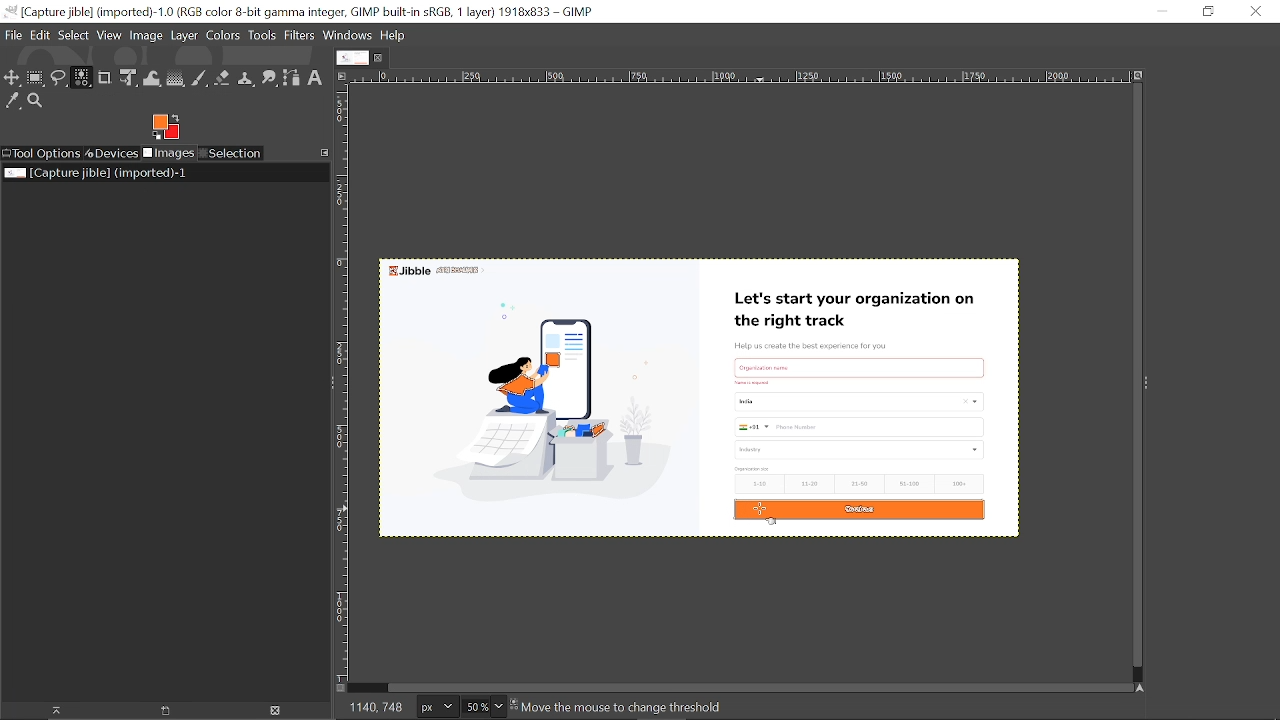  I want to click on Layer, so click(184, 35).